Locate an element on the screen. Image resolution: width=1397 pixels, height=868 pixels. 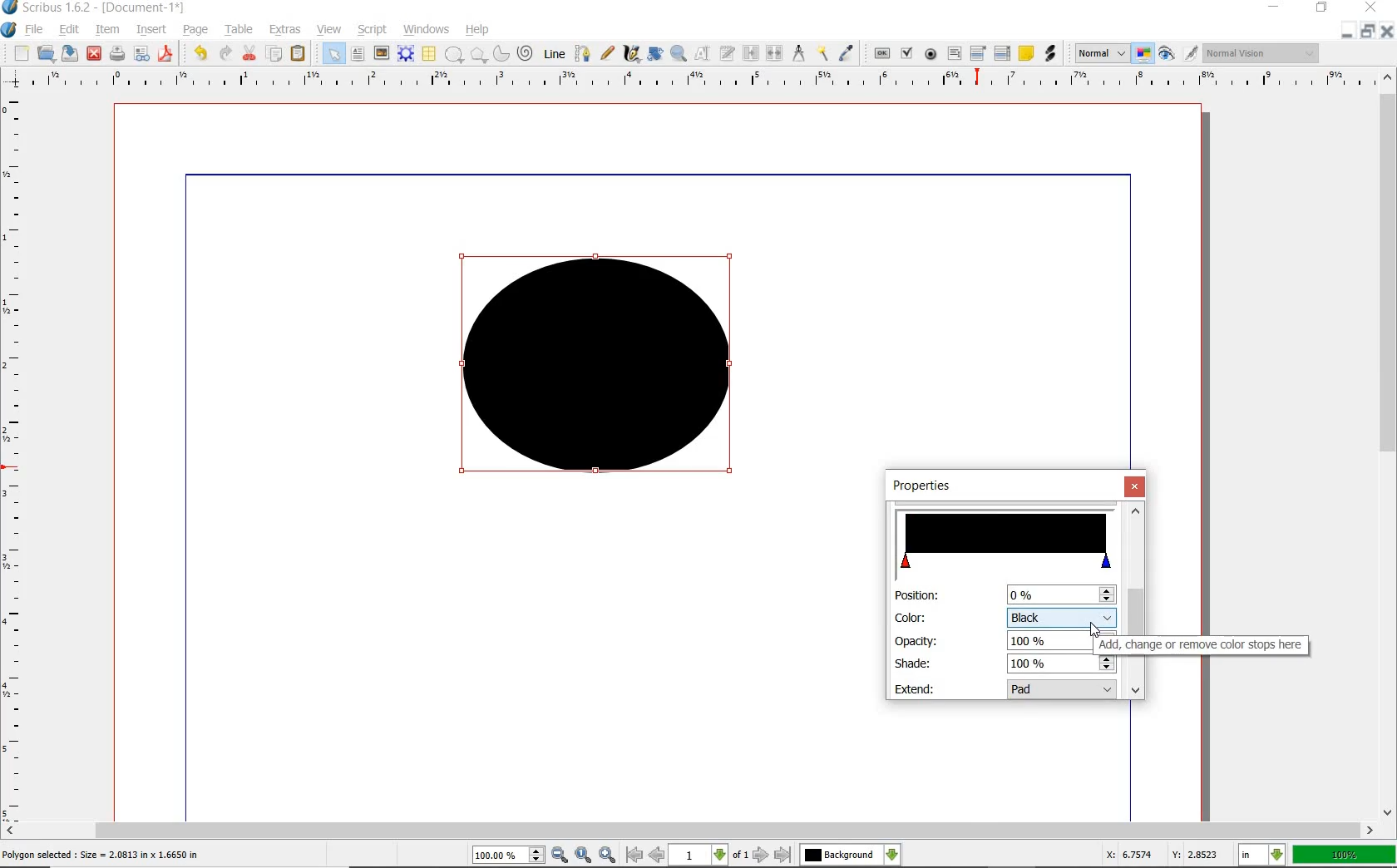
previous is located at coordinates (658, 855).